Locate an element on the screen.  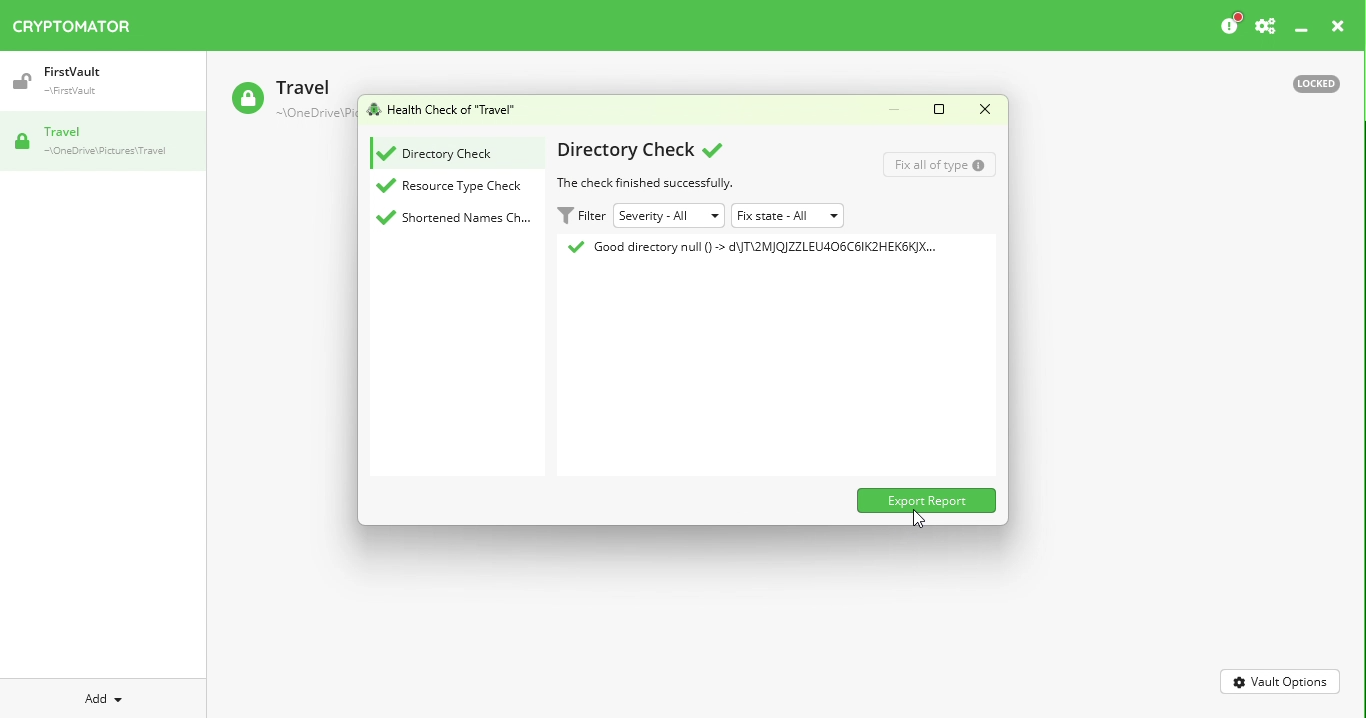
Drop down menu is located at coordinates (791, 215).